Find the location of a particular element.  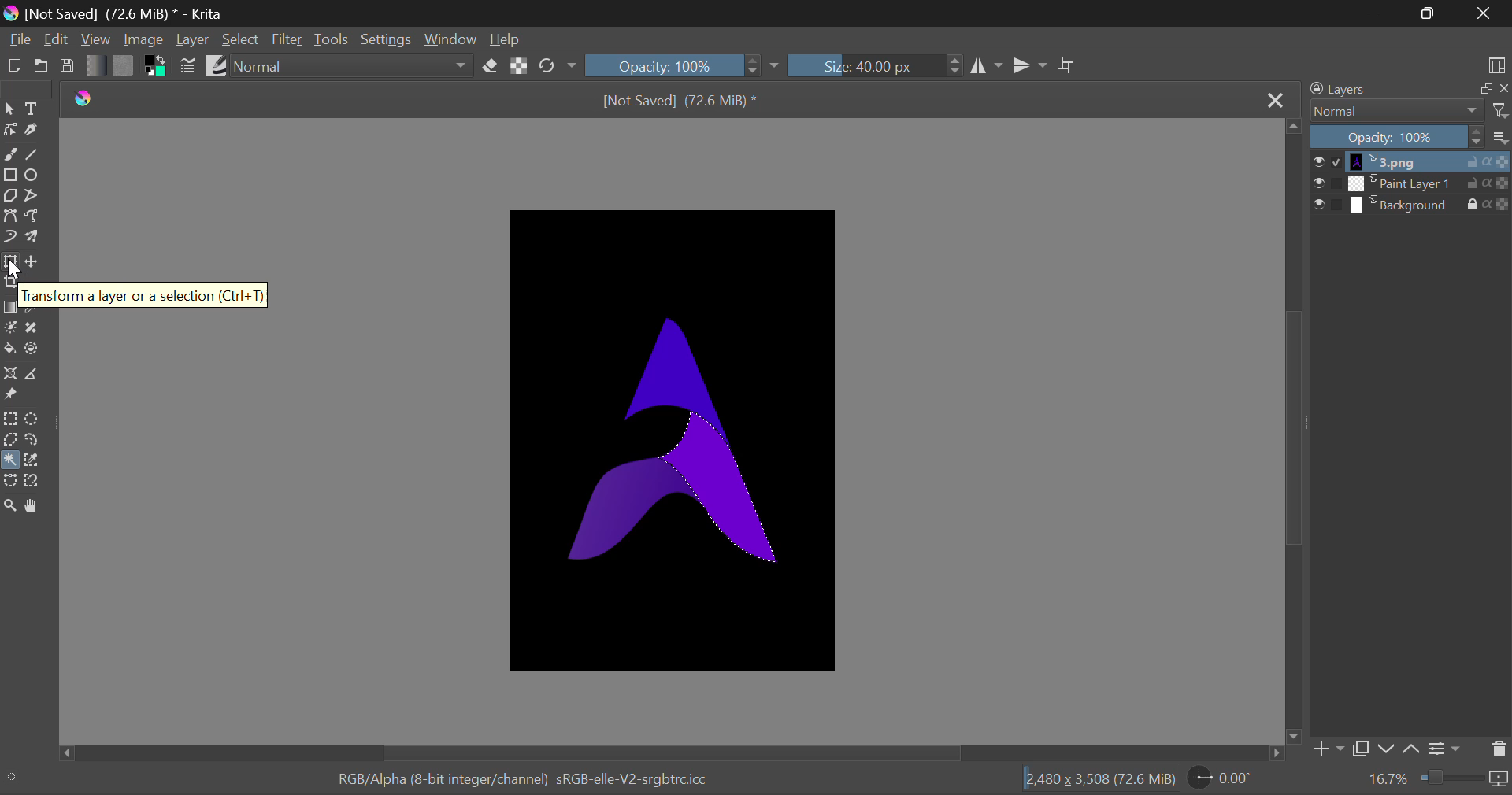

Window is located at coordinates (448, 39).